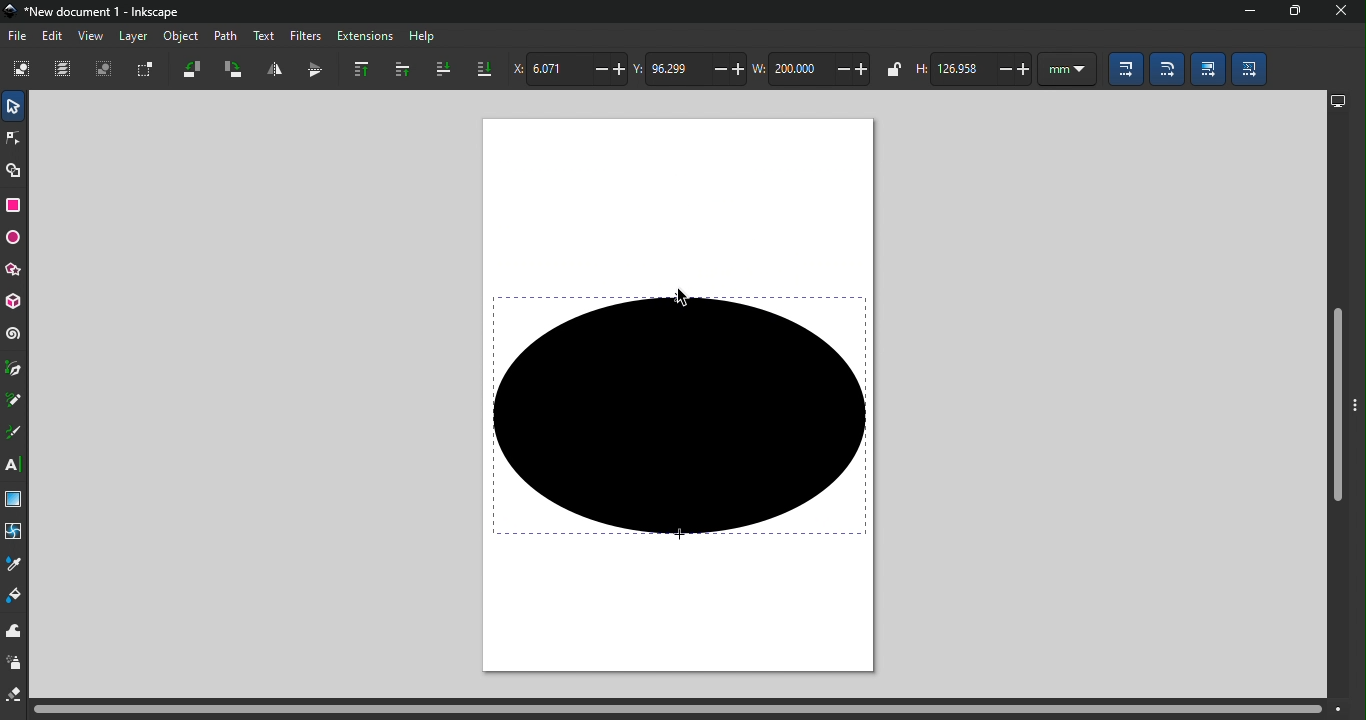 The height and width of the screenshot is (720, 1366). Describe the element at coordinates (15, 567) in the screenshot. I see `dropper tool` at that location.